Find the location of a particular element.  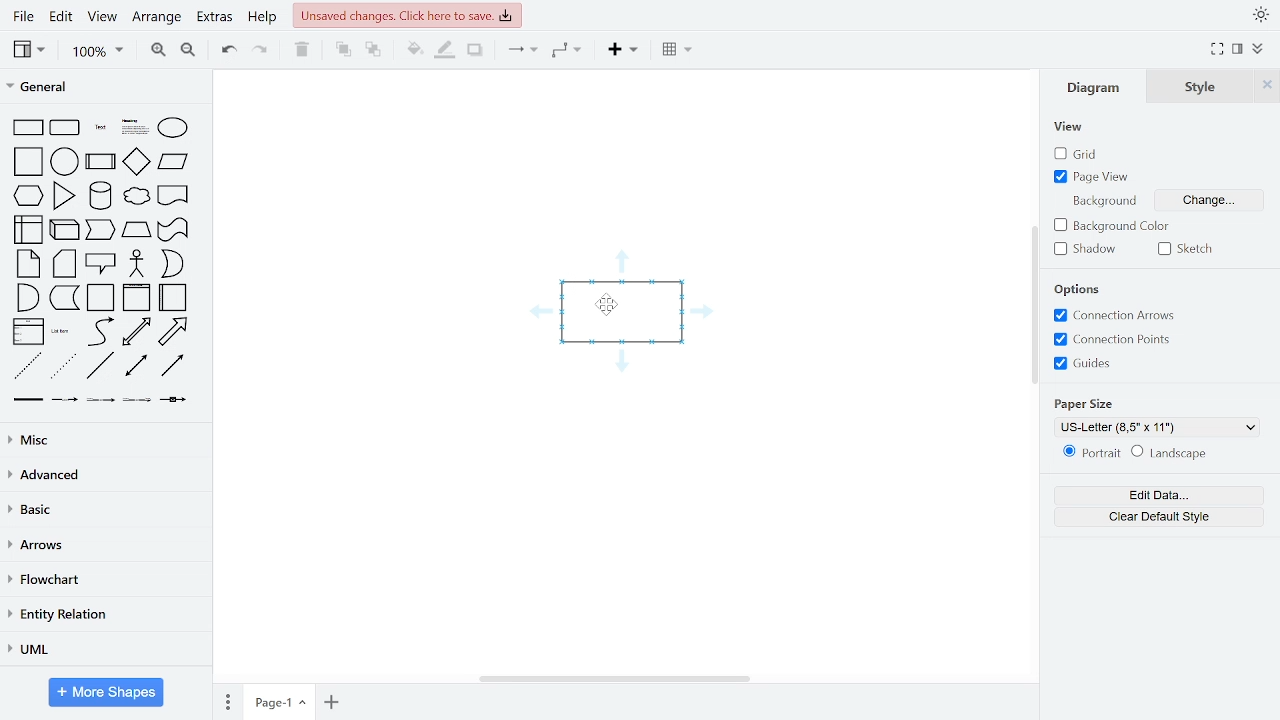

connector with 2 label is located at coordinates (101, 399).